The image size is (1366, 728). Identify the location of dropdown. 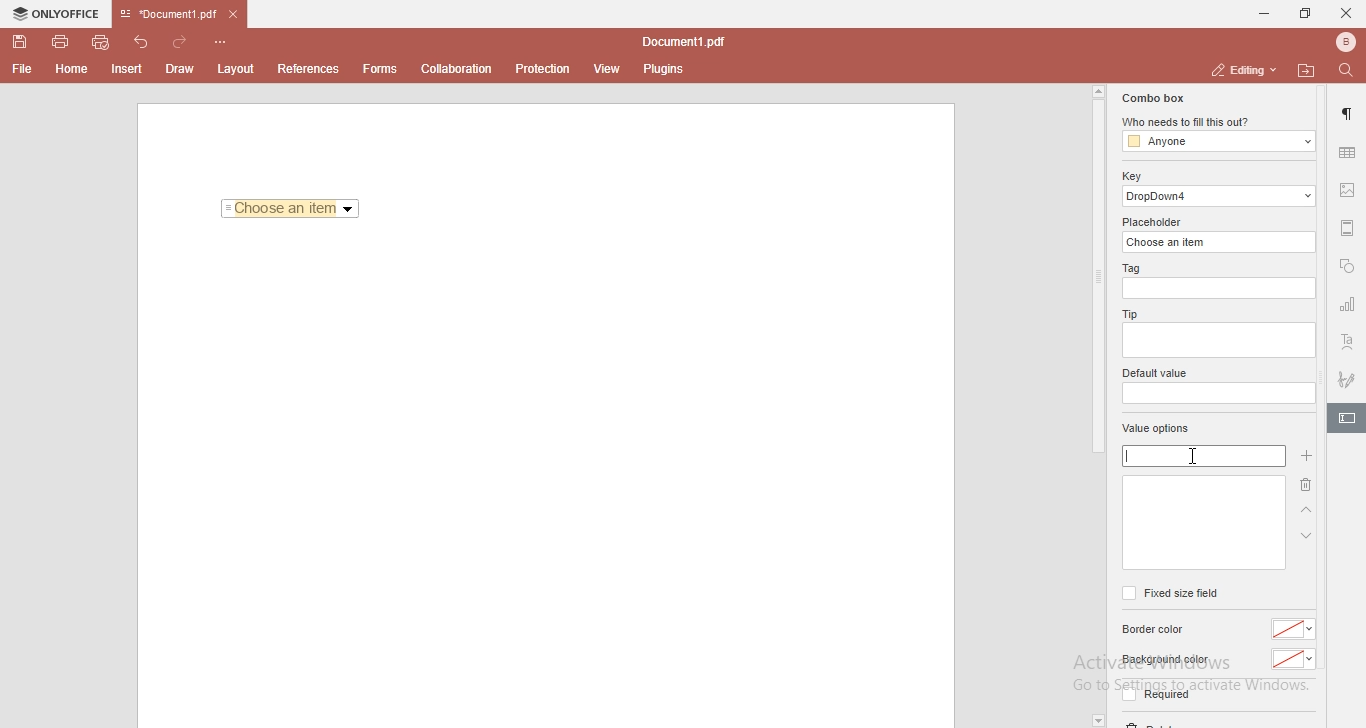
(1097, 720).